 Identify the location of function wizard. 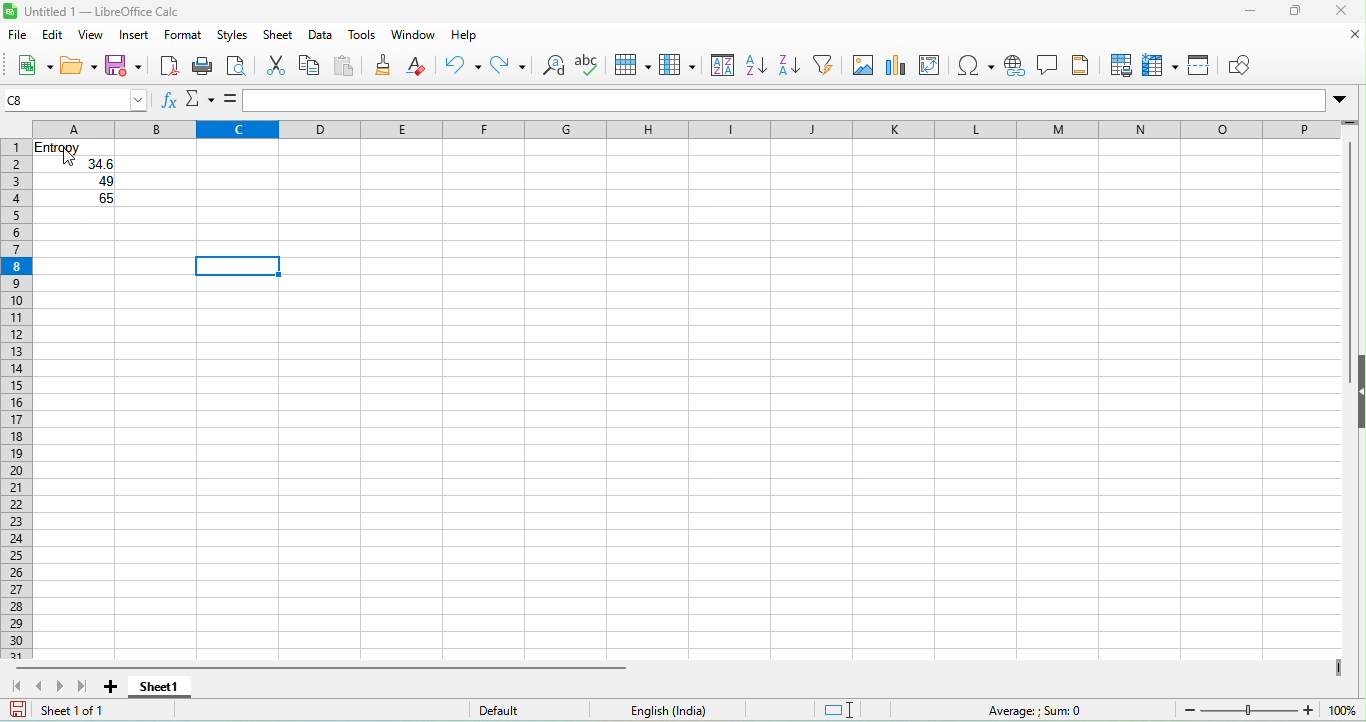
(168, 101).